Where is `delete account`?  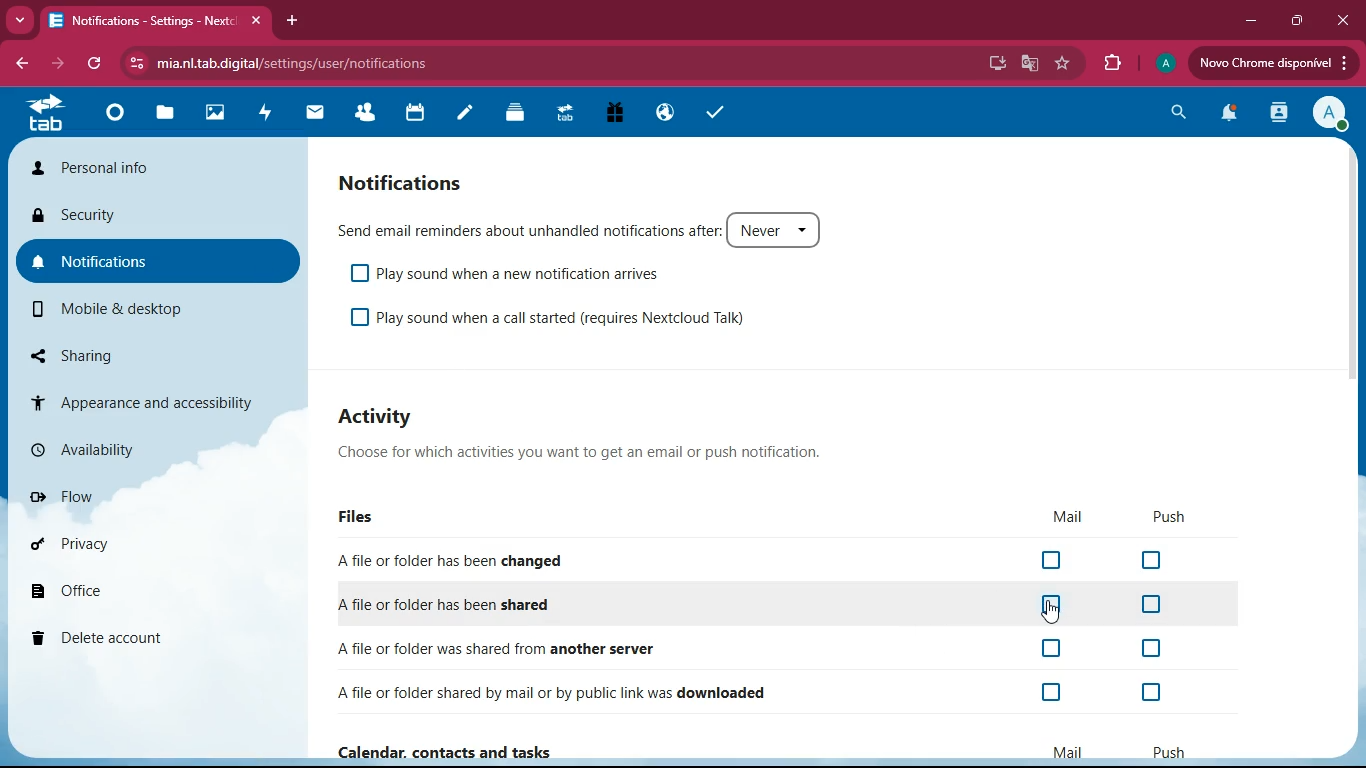 delete account is located at coordinates (143, 635).